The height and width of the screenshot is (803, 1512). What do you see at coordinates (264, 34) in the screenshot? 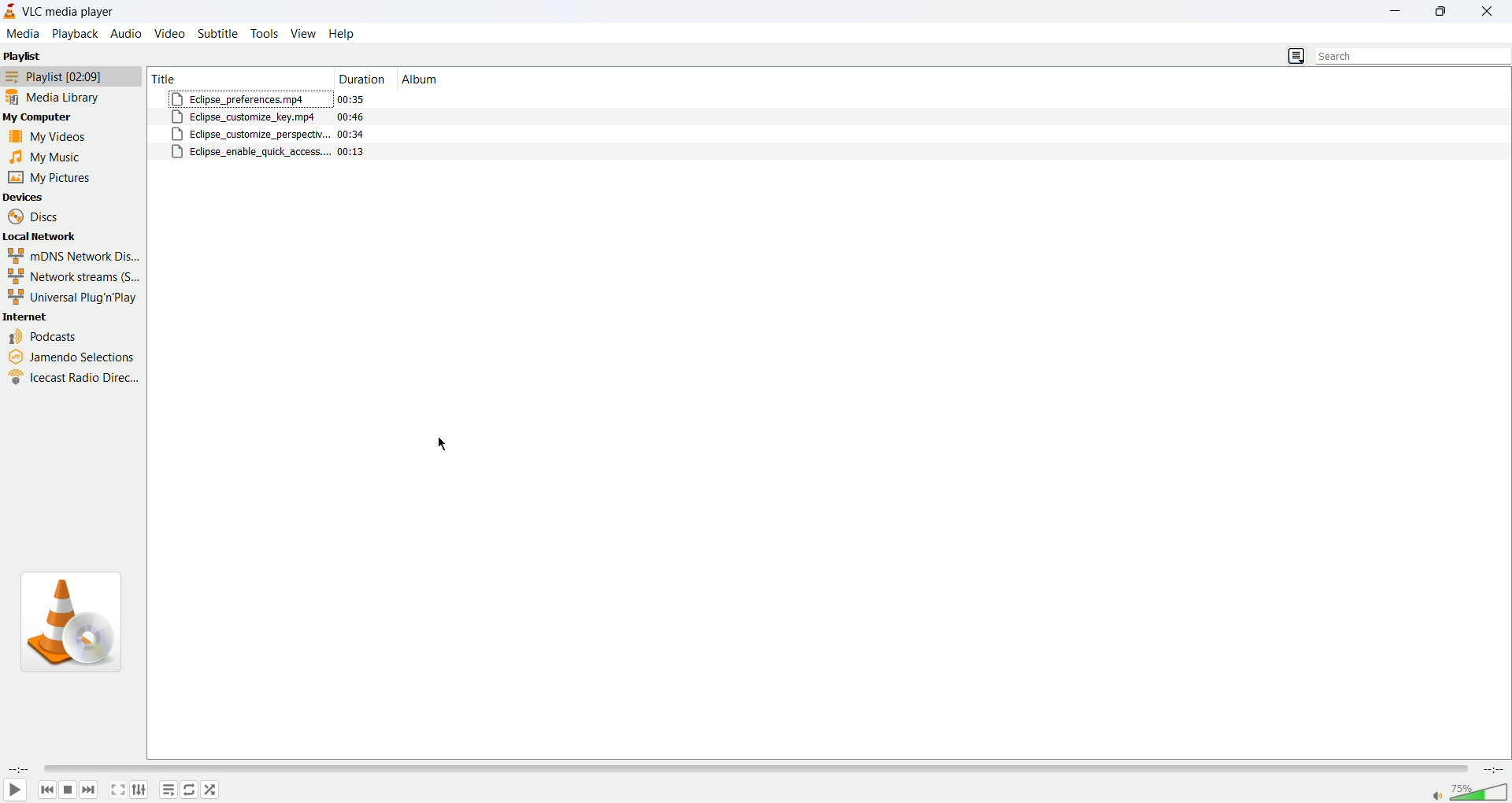
I see `tools` at bounding box center [264, 34].